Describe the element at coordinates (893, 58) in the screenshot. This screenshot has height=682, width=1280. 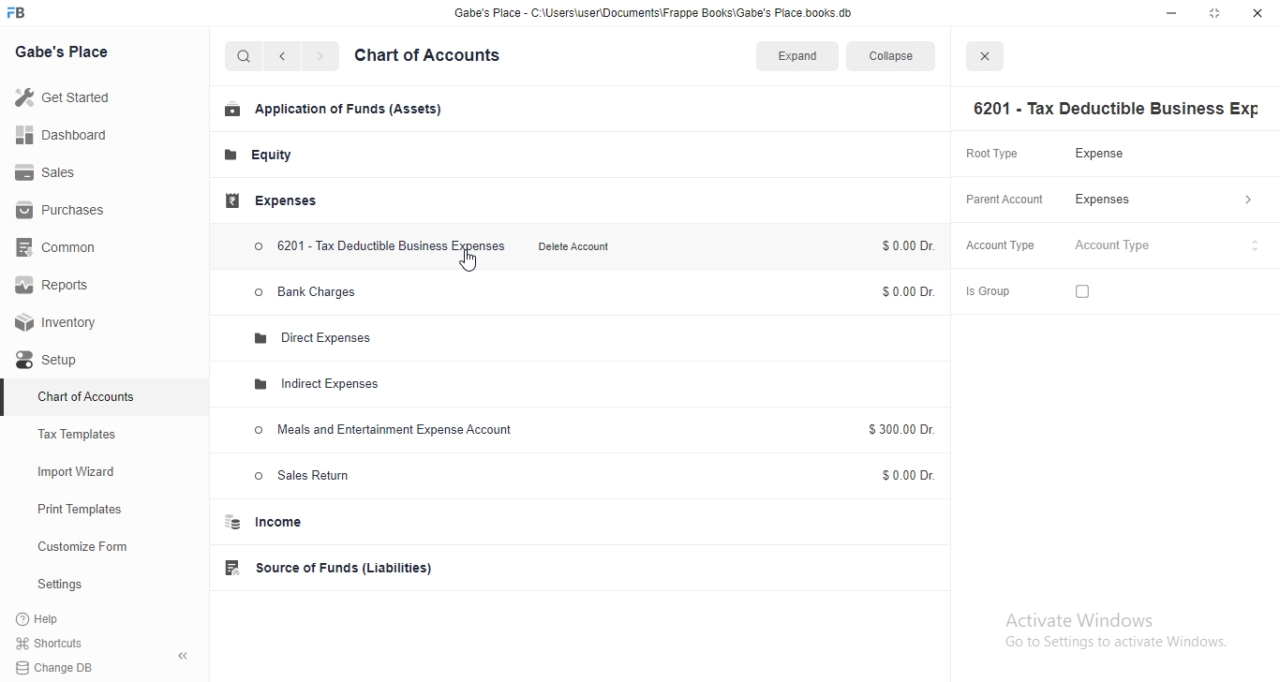
I see `Collapse` at that location.